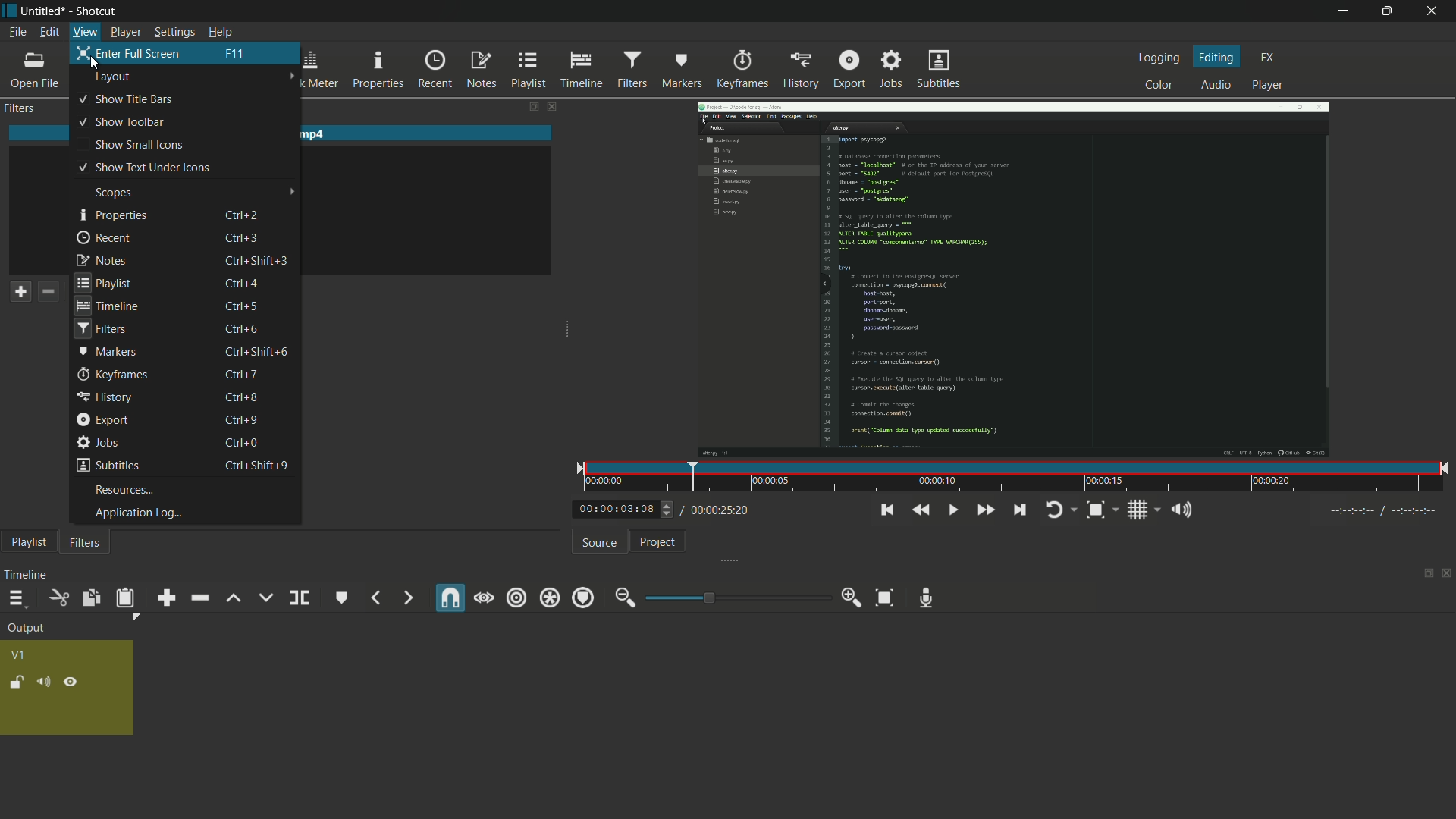  What do you see at coordinates (20, 655) in the screenshot?
I see `V1` at bounding box center [20, 655].